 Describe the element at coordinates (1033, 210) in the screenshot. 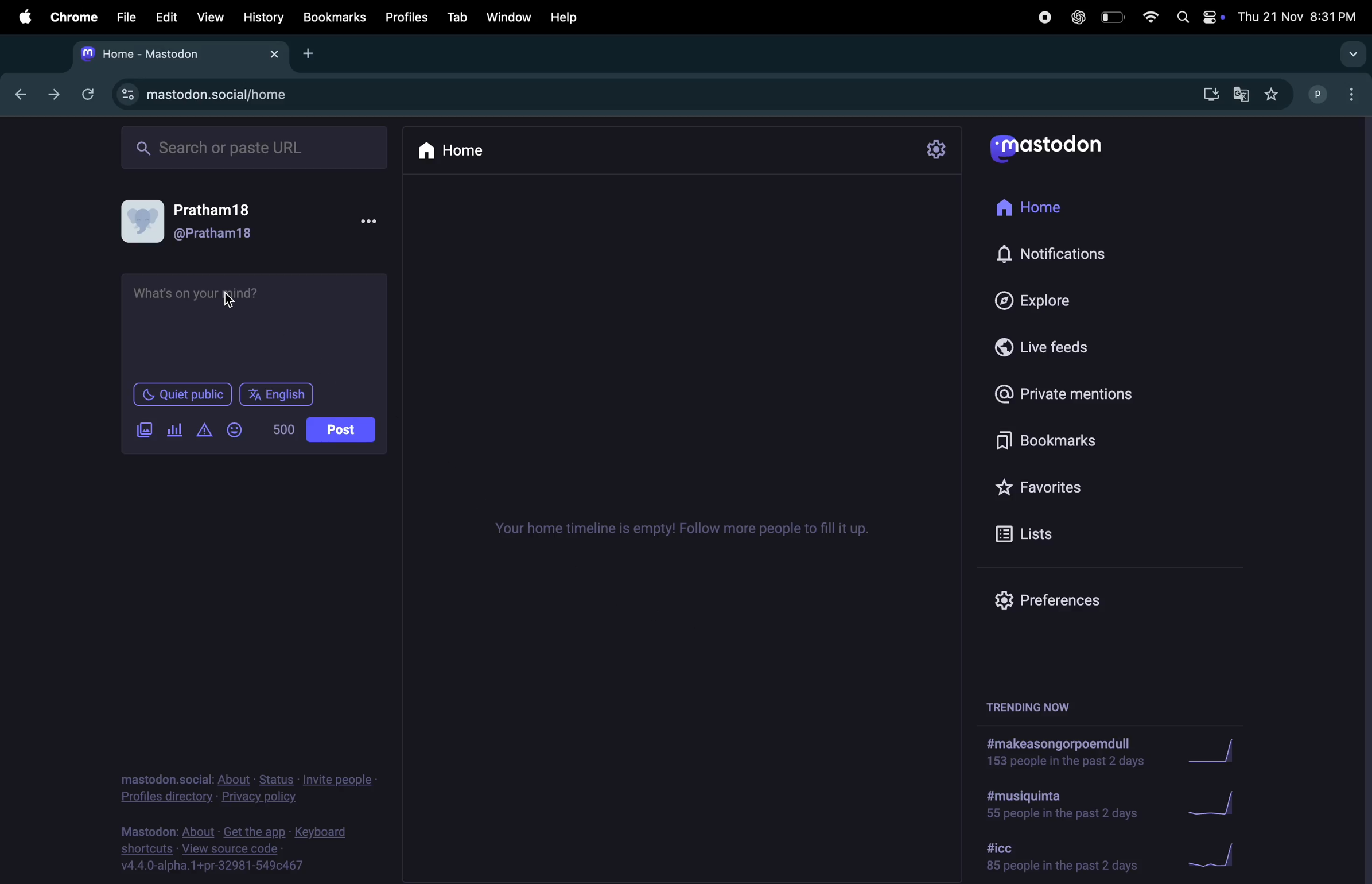

I see `home` at that location.